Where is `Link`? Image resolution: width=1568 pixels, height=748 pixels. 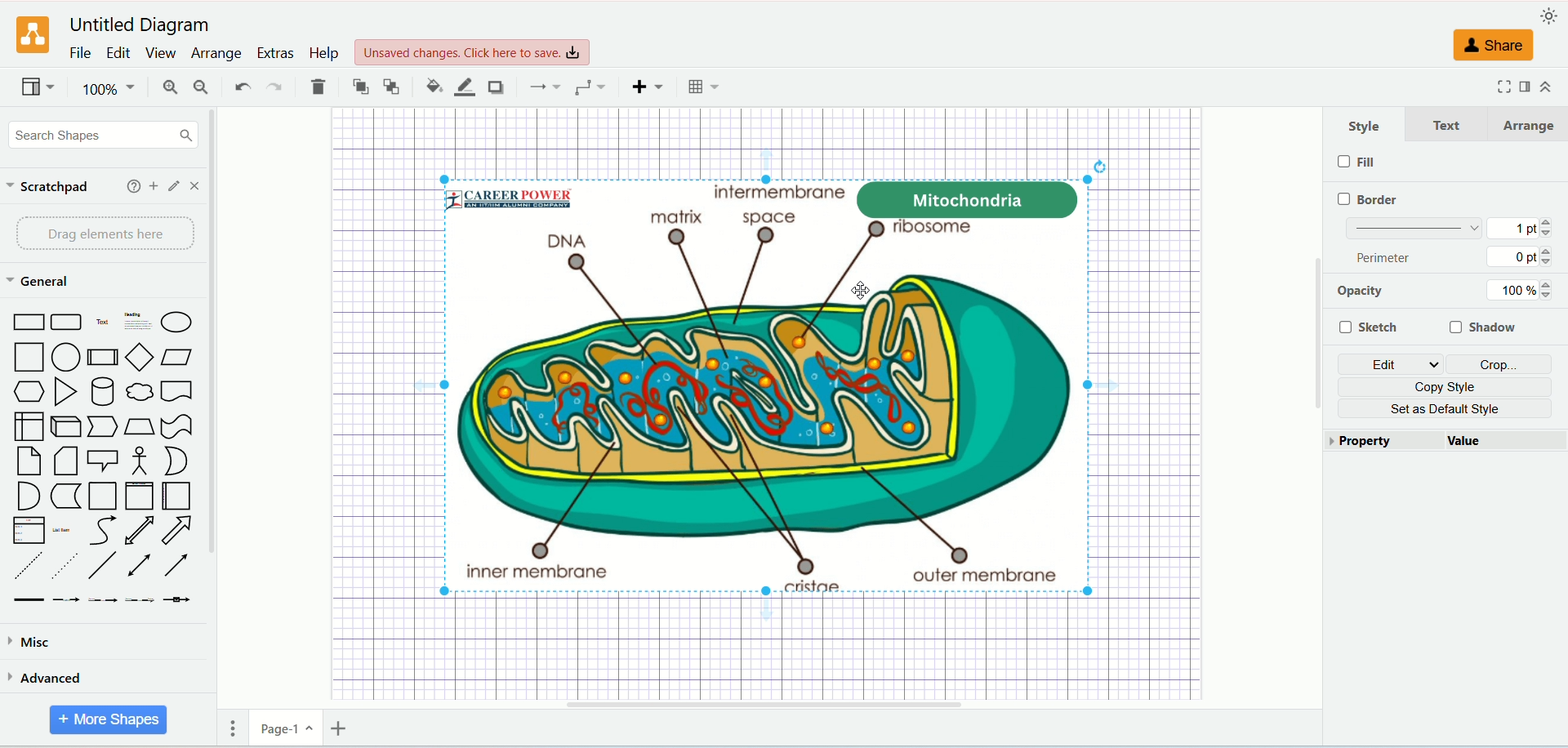
Link is located at coordinates (29, 601).